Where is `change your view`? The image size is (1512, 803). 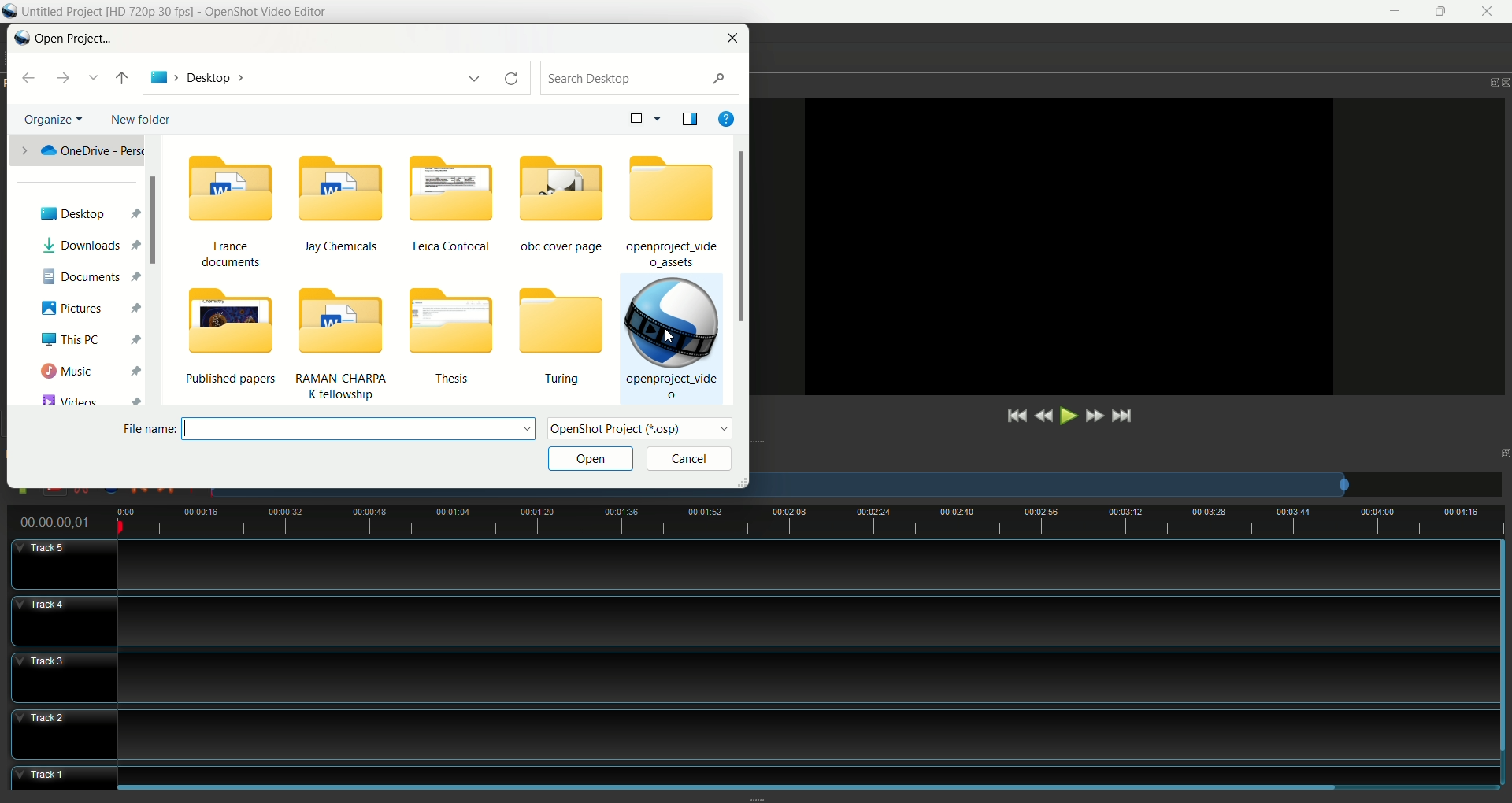
change your view is located at coordinates (645, 117).